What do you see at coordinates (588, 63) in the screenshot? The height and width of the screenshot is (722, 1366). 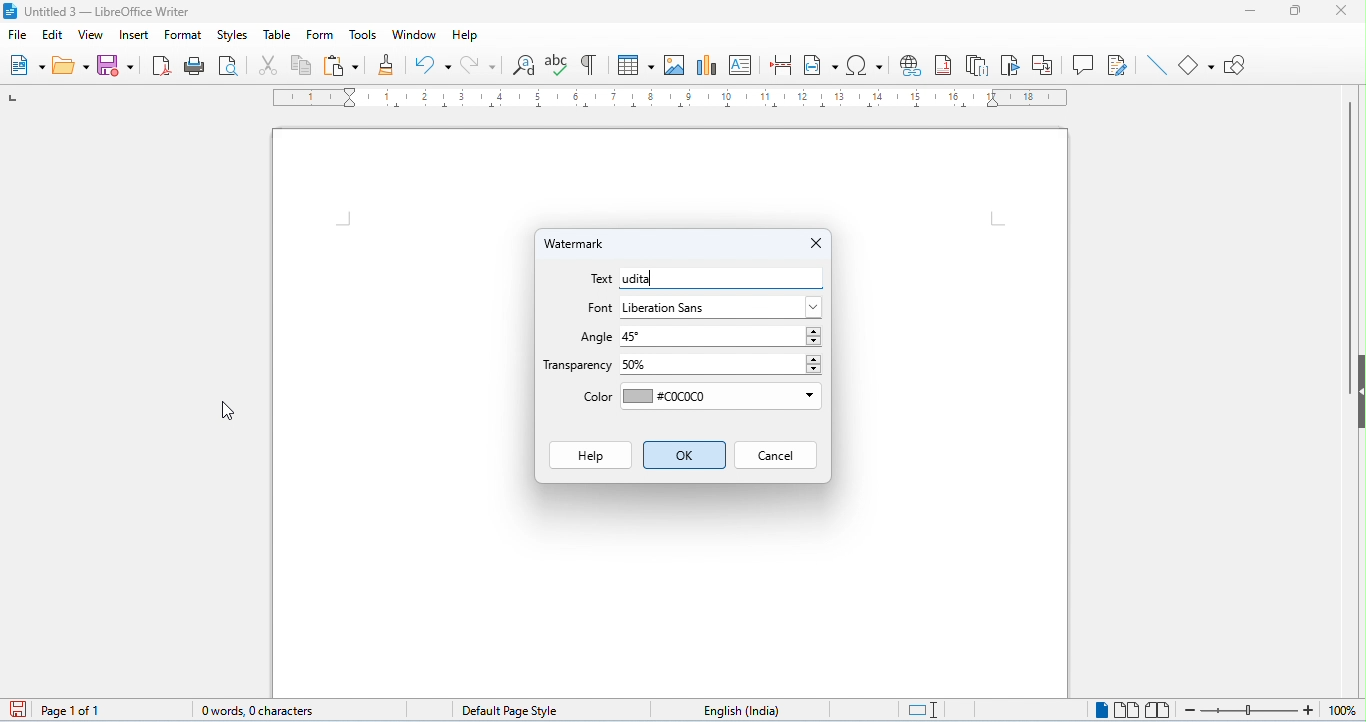 I see `toggle formatting marks` at bounding box center [588, 63].